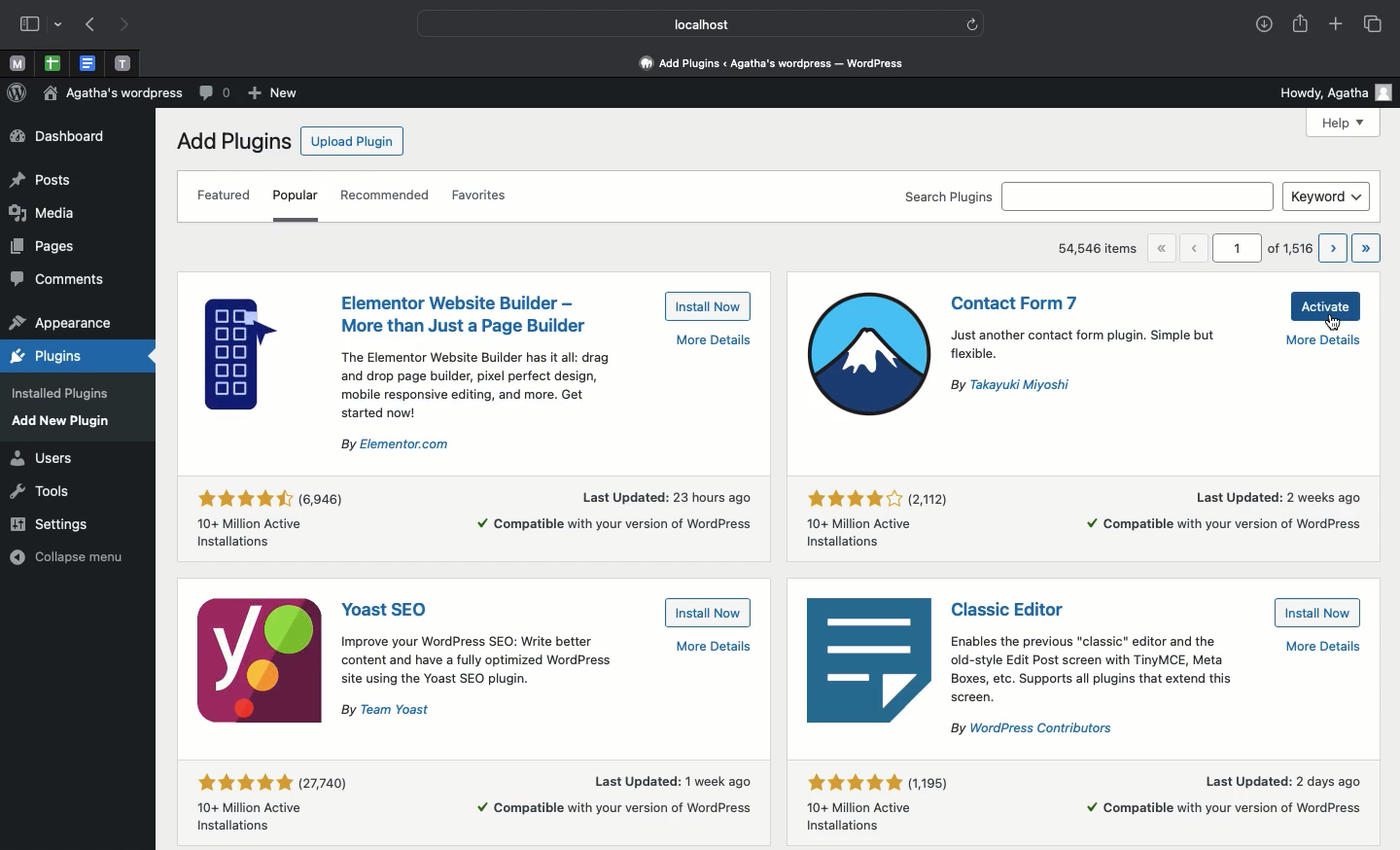 Image resolution: width=1400 pixels, height=850 pixels. What do you see at coordinates (1327, 345) in the screenshot?
I see `More details` at bounding box center [1327, 345].